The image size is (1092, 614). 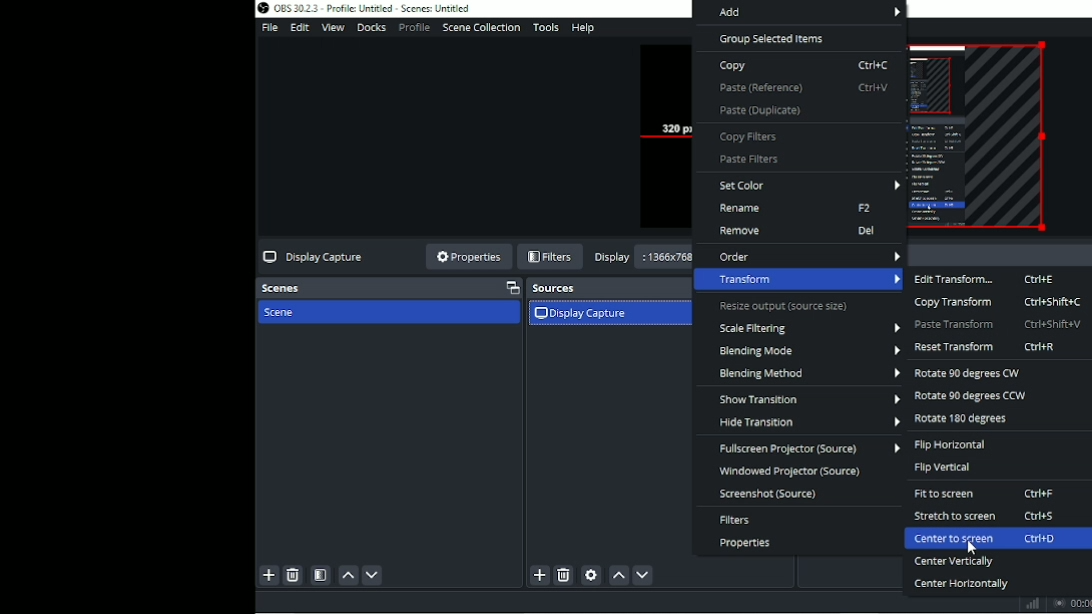 I want to click on Tools, so click(x=545, y=27).